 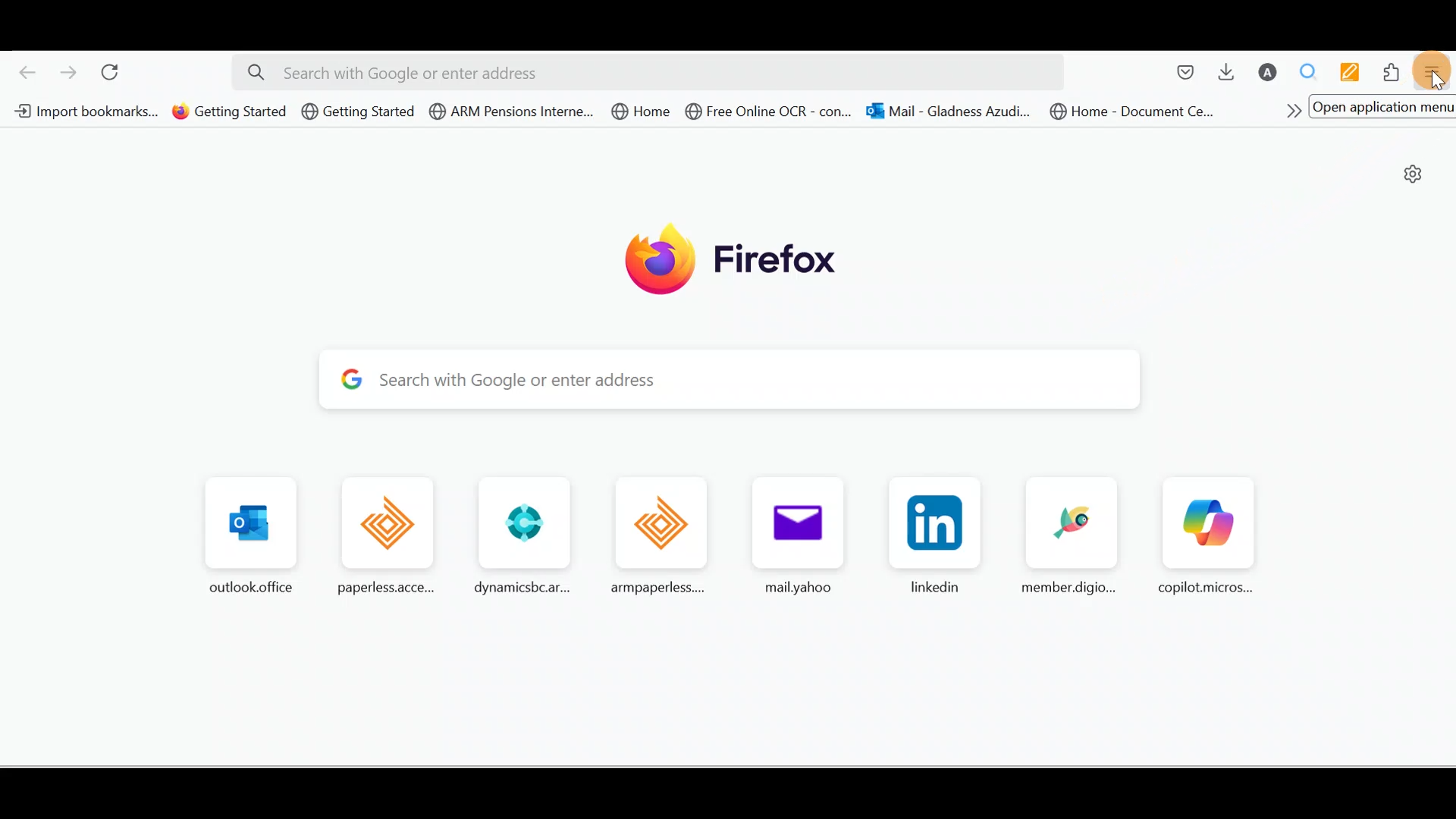 What do you see at coordinates (23, 75) in the screenshot?
I see `Go back one page` at bounding box center [23, 75].